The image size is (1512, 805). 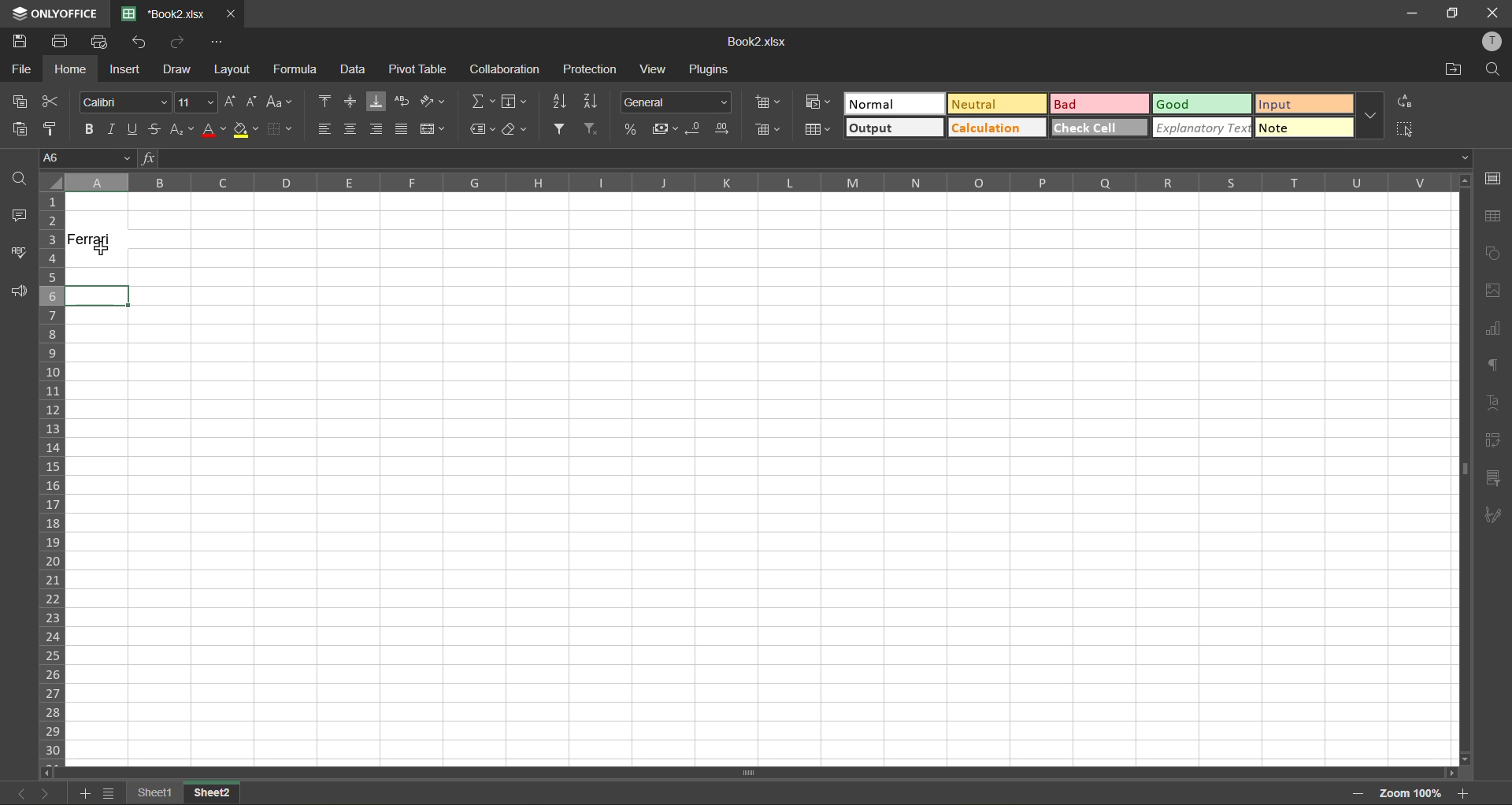 What do you see at coordinates (755, 37) in the screenshot?
I see `Book2 xlsx` at bounding box center [755, 37].